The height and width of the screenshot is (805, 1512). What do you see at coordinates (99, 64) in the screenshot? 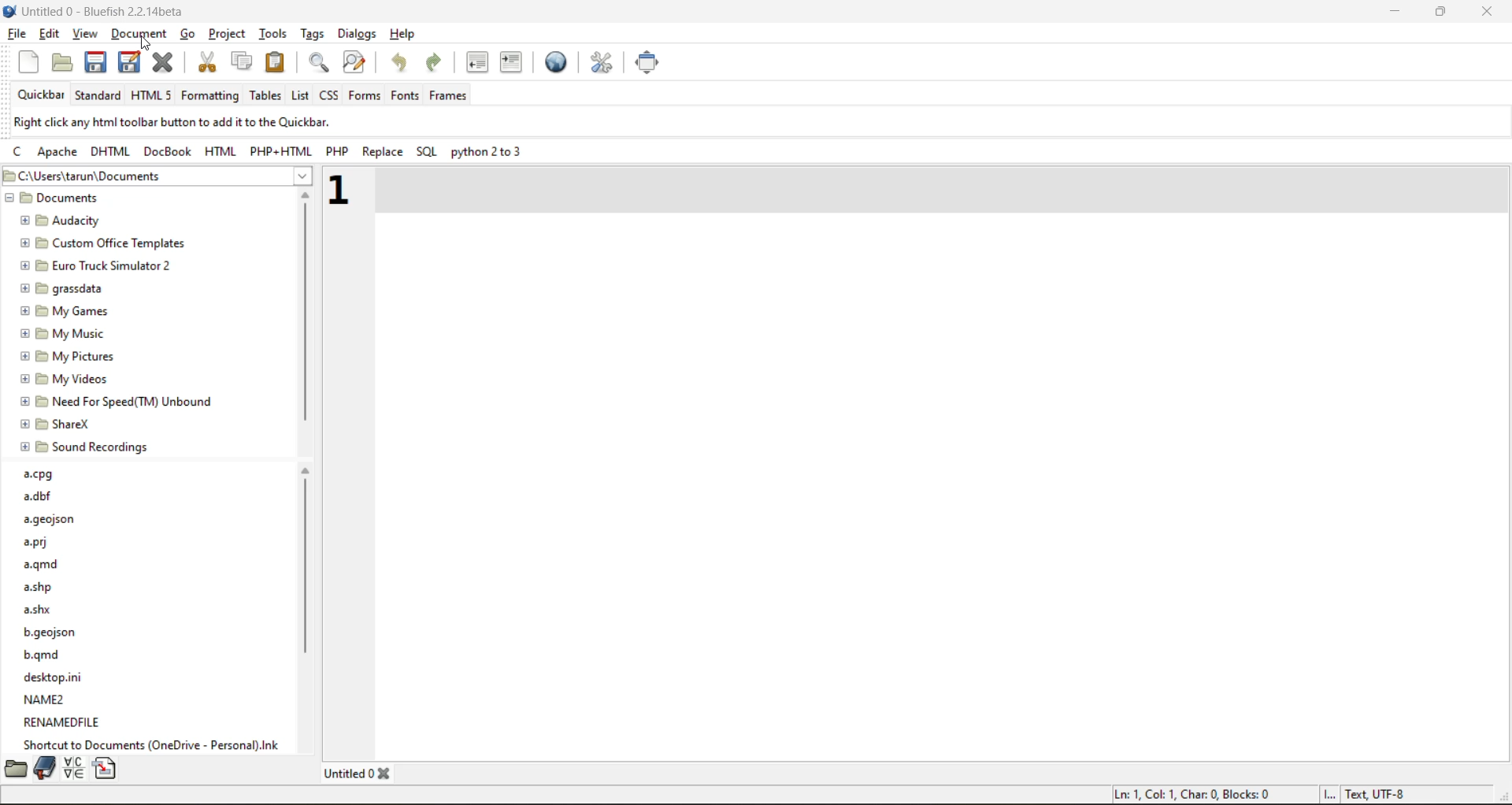
I see `save` at bounding box center [99, 64].